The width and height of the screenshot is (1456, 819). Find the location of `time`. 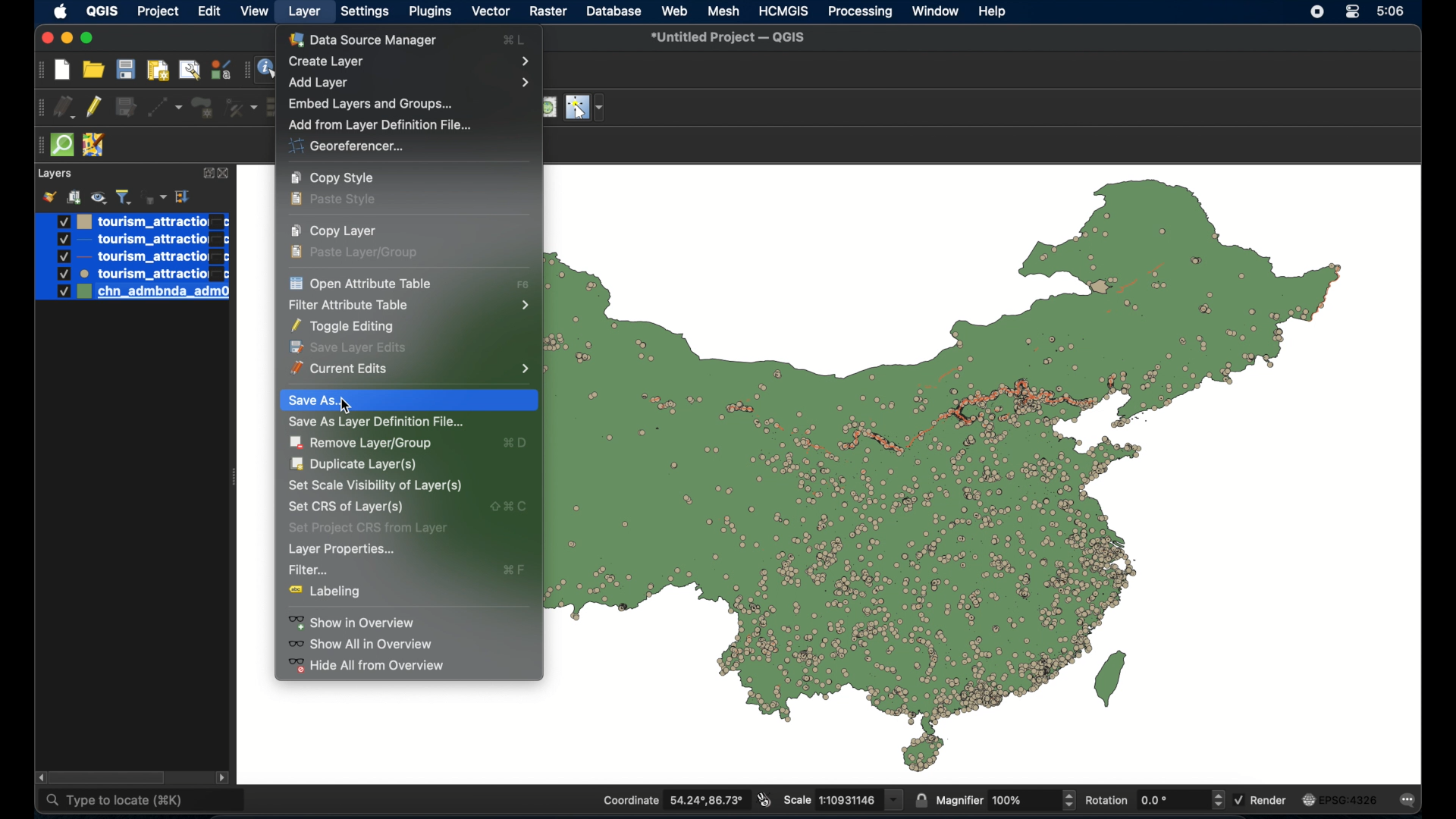

time is located at coordinates (1392, 11).